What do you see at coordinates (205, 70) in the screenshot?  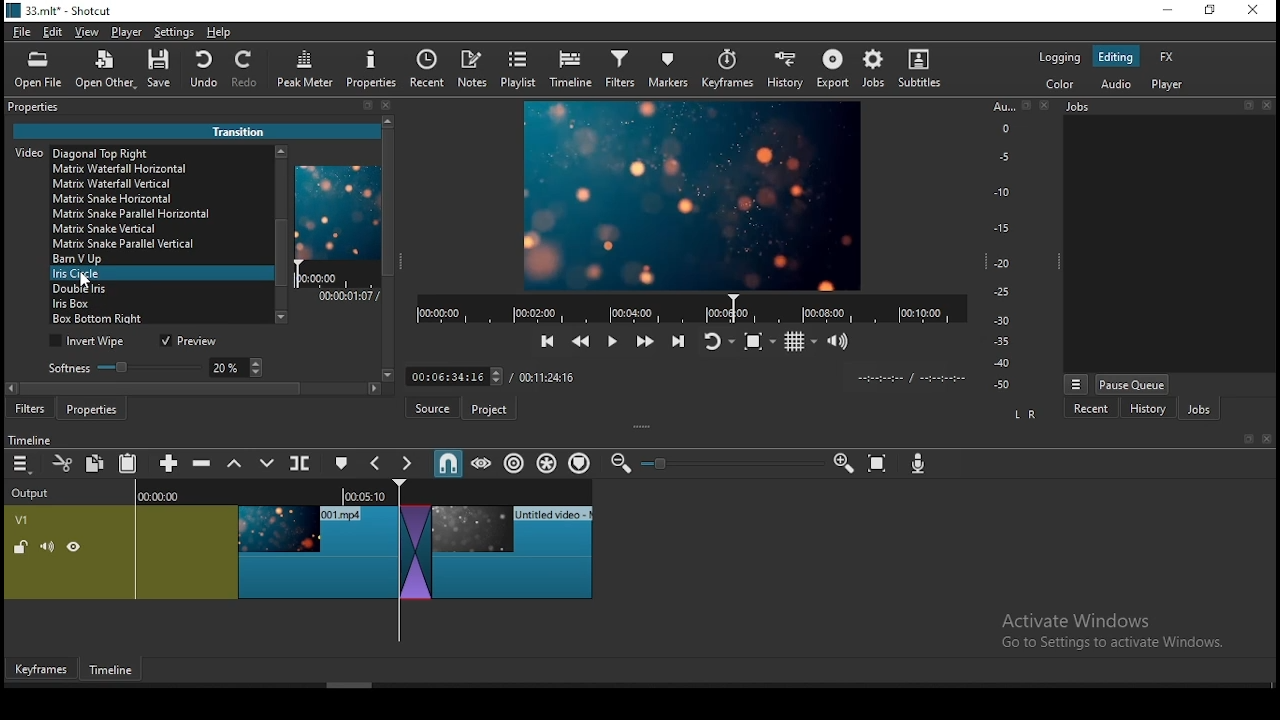 I see `undo` at bounding box center [205, 70].